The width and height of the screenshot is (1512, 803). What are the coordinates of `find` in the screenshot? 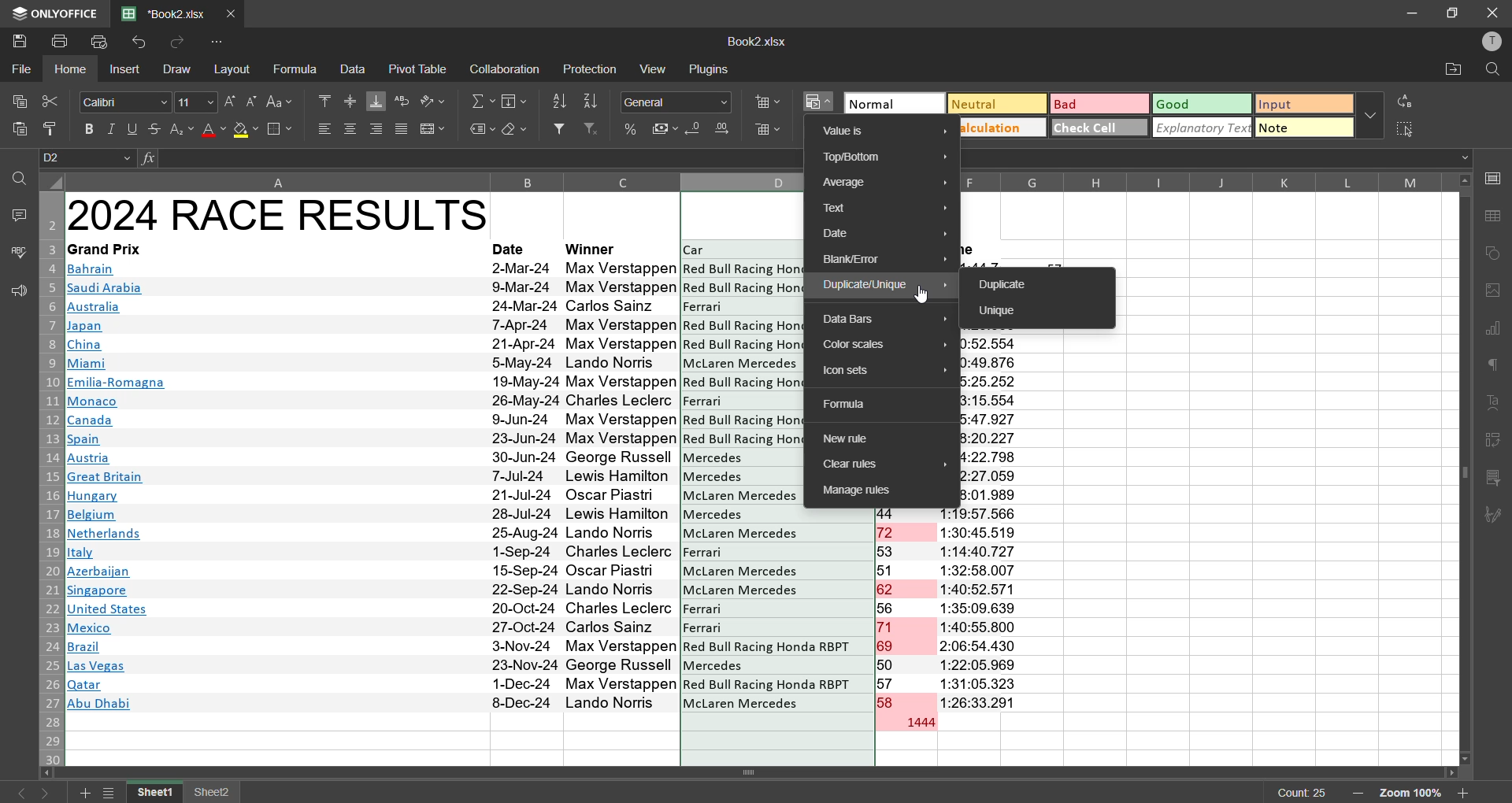 It's located at (1492, 70).